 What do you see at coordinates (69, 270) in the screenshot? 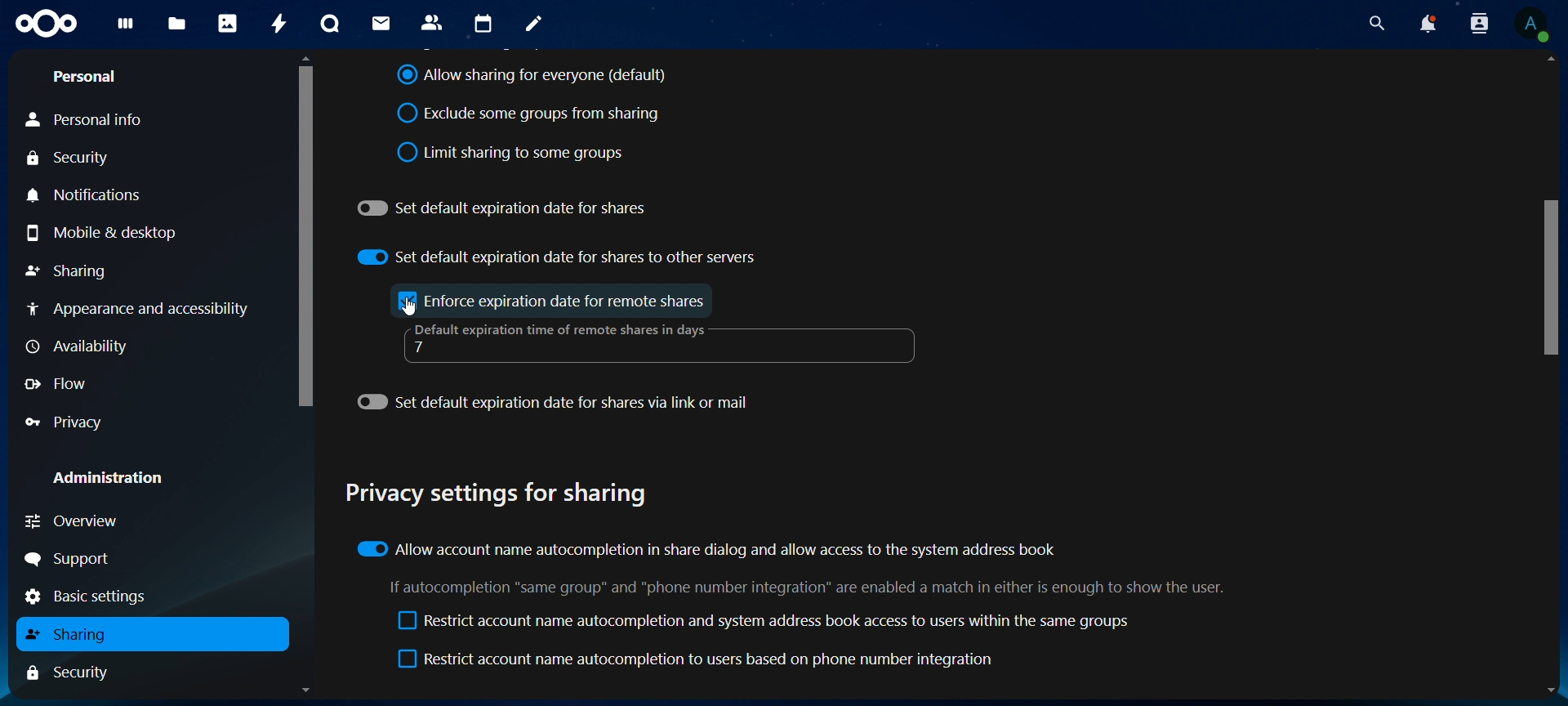
I see `sharing` at bounding box center [69, 270].